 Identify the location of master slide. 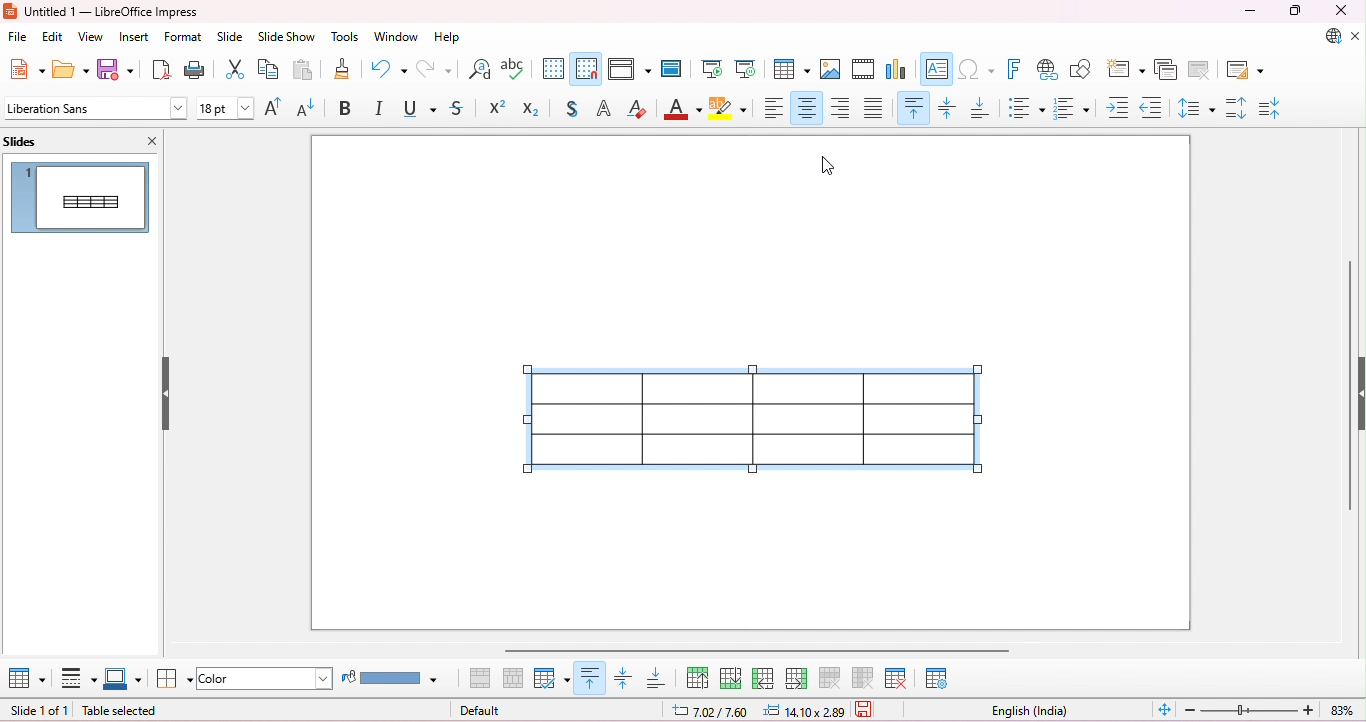
(671, 68).